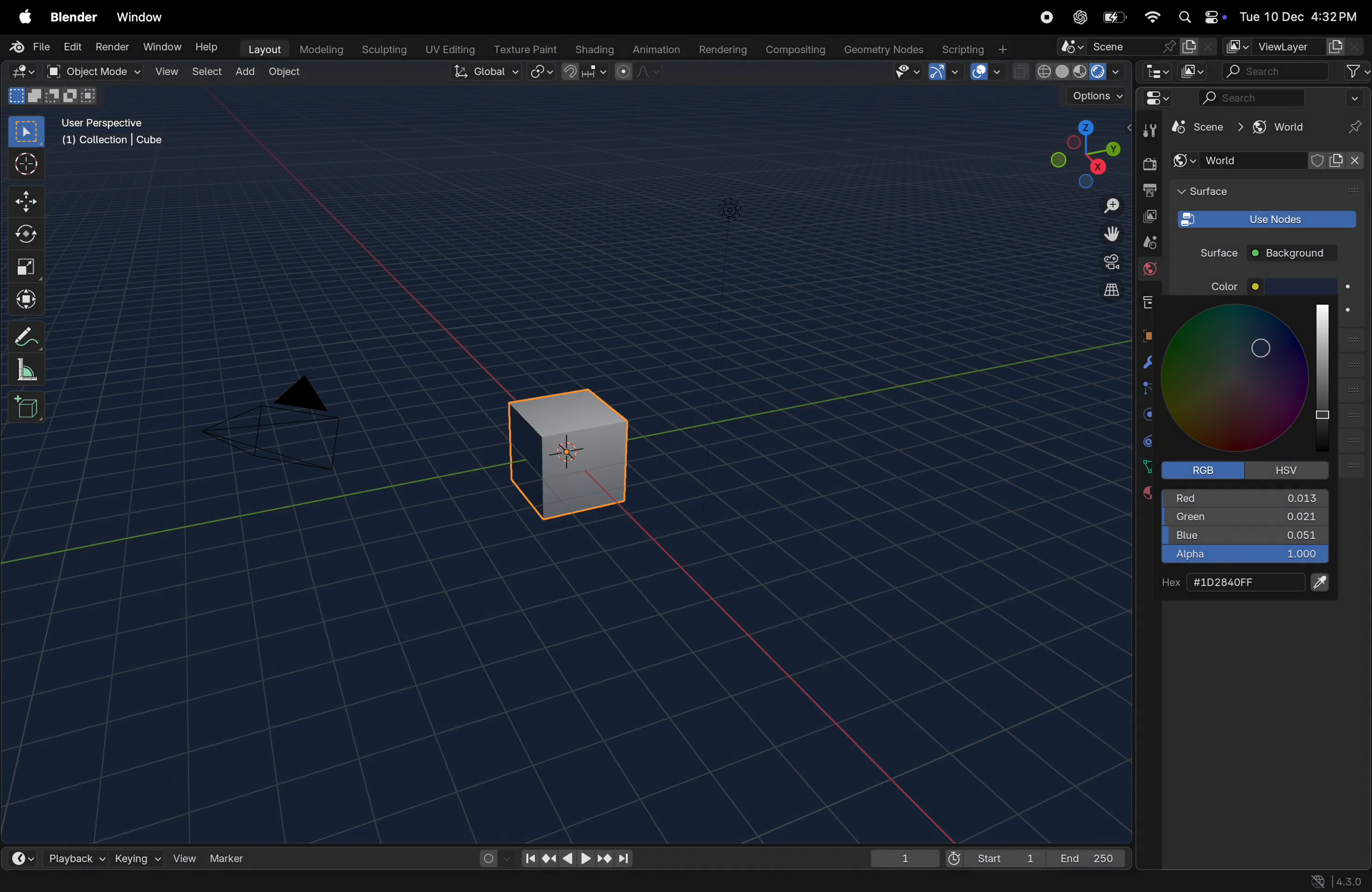 This screenshot has height=892, width=1372. I want to click on start, so click(996, 855).